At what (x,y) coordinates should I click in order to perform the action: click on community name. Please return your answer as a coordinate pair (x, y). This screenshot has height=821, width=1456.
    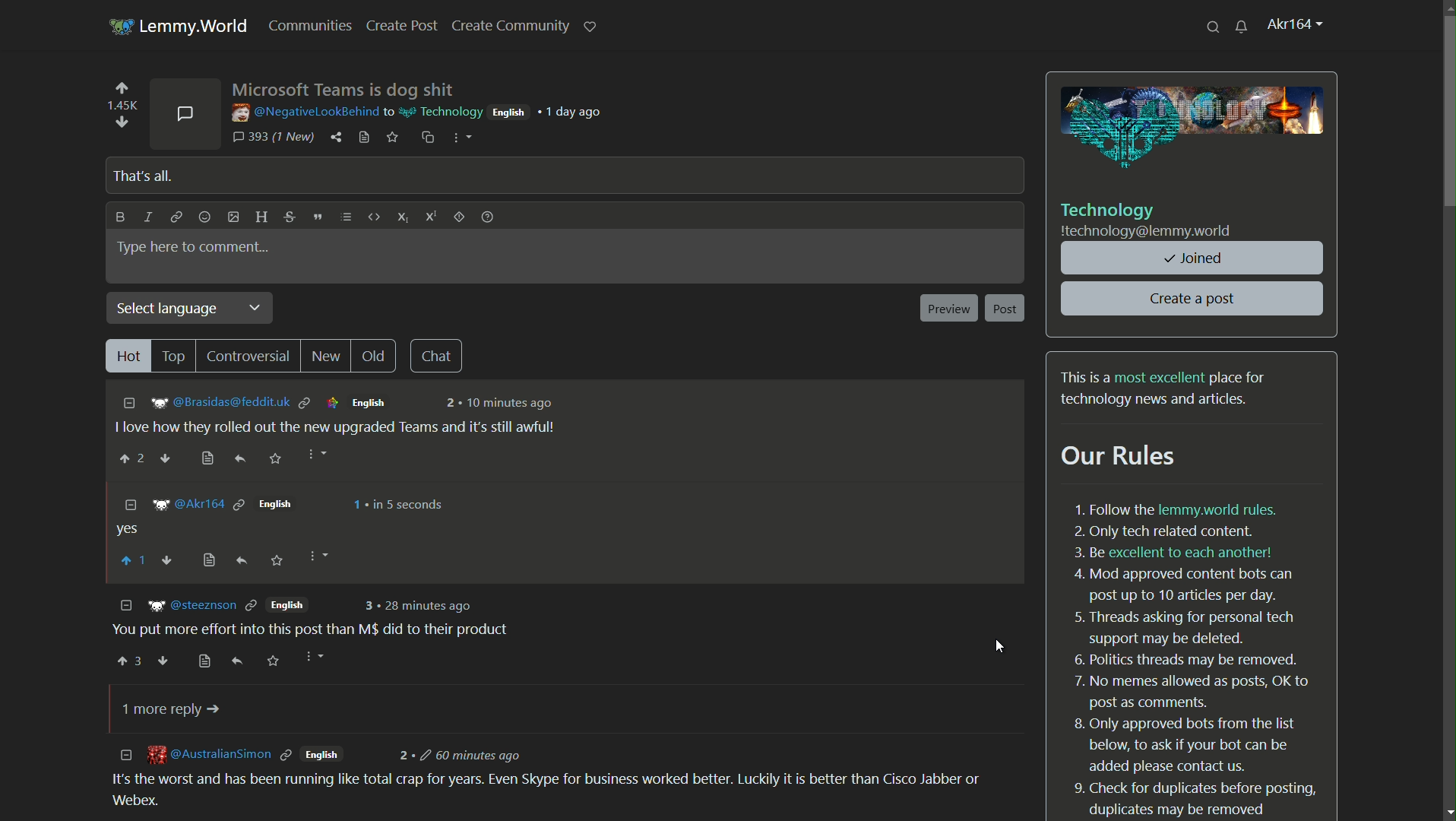
    Looking at the image, I should click on (1109, 210).